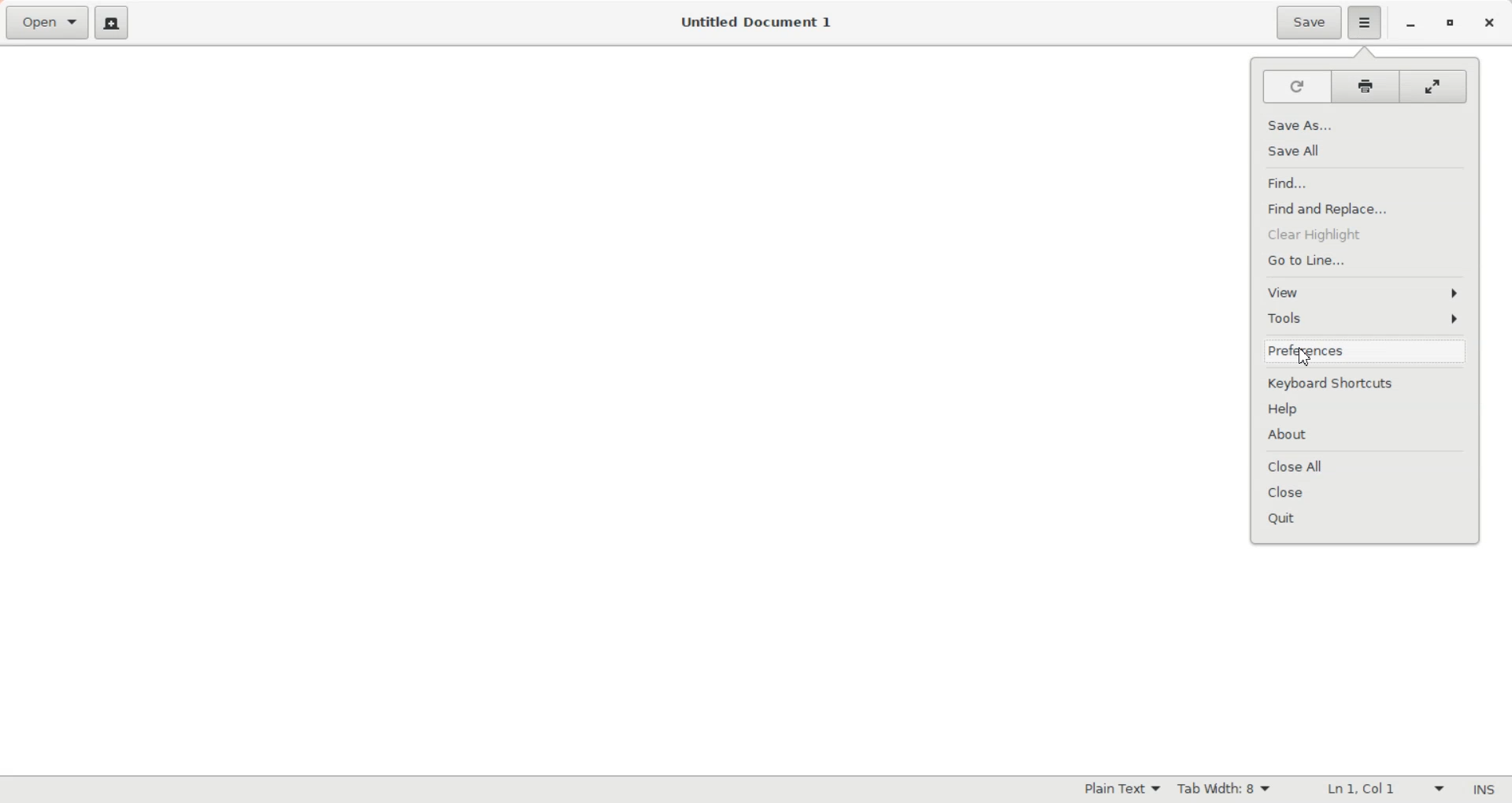 The width and height of the screenshot is (1512, 803). What do you see at coordinates (111, 22) in the screenshot?
I see `Create a new document` at bounding box center [111, 22].